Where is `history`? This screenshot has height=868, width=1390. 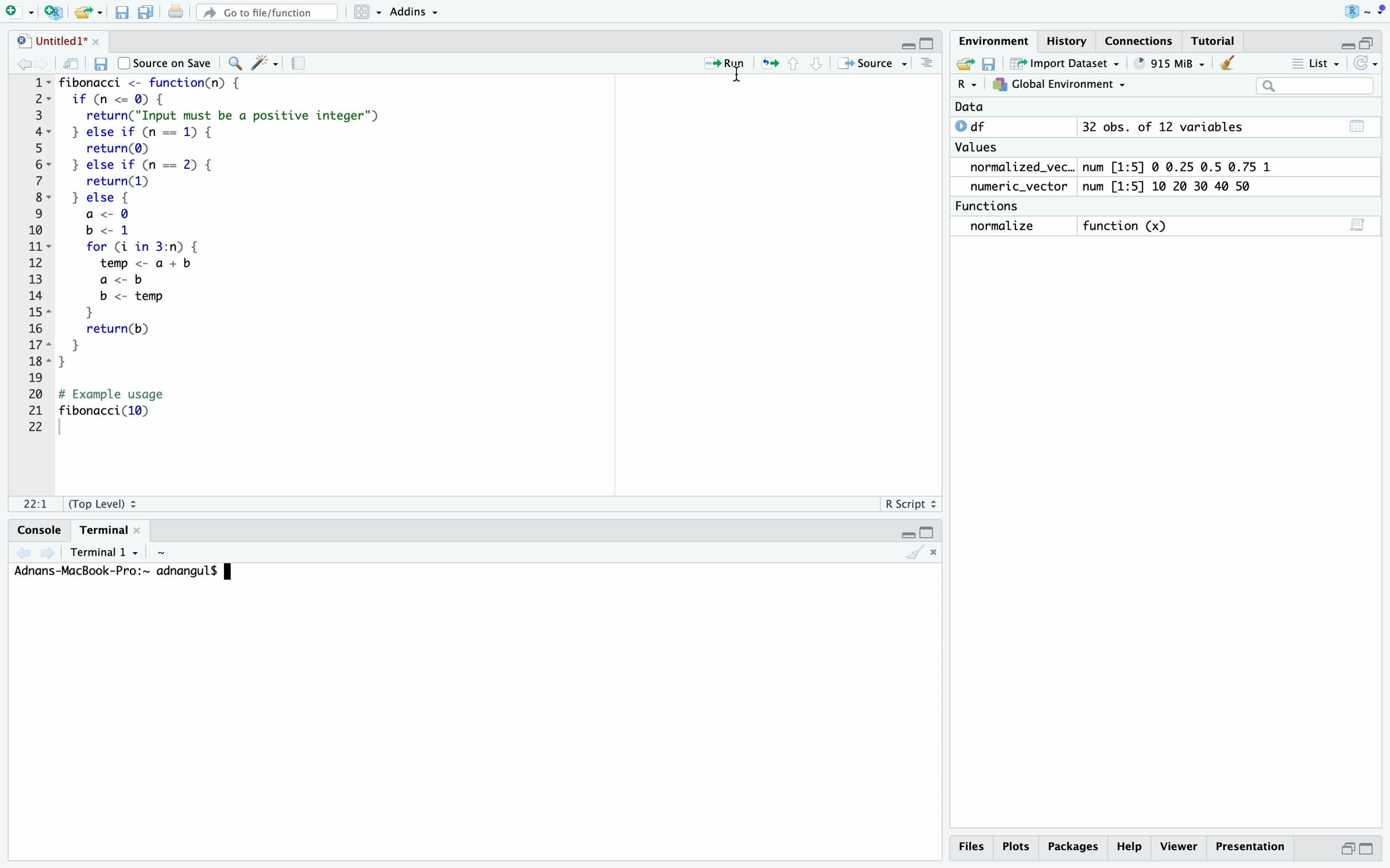 history is located at coordinates (1064, 40).